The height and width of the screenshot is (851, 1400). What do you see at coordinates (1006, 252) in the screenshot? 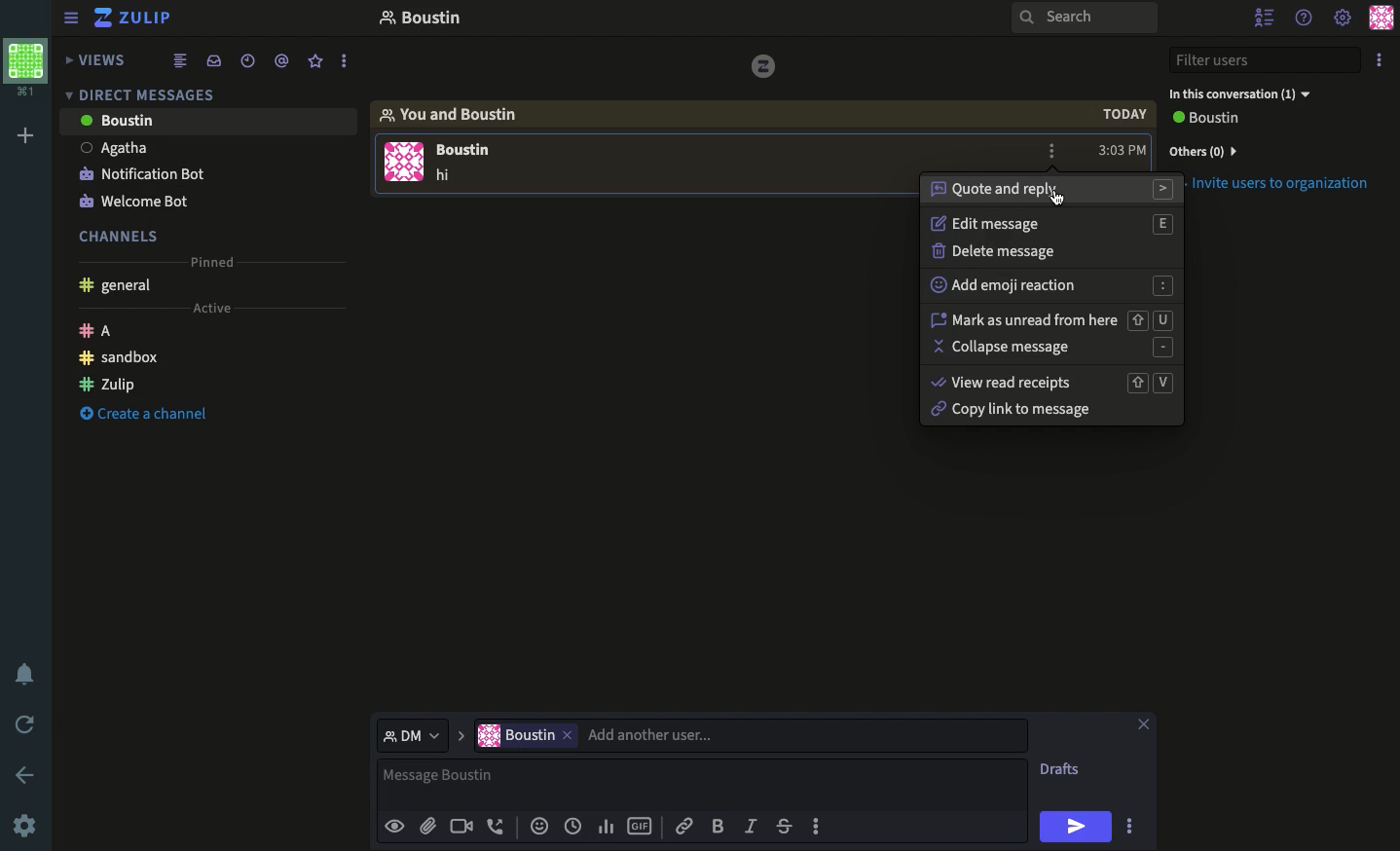
I see `Delete message` at bounding box center [1006, 252].